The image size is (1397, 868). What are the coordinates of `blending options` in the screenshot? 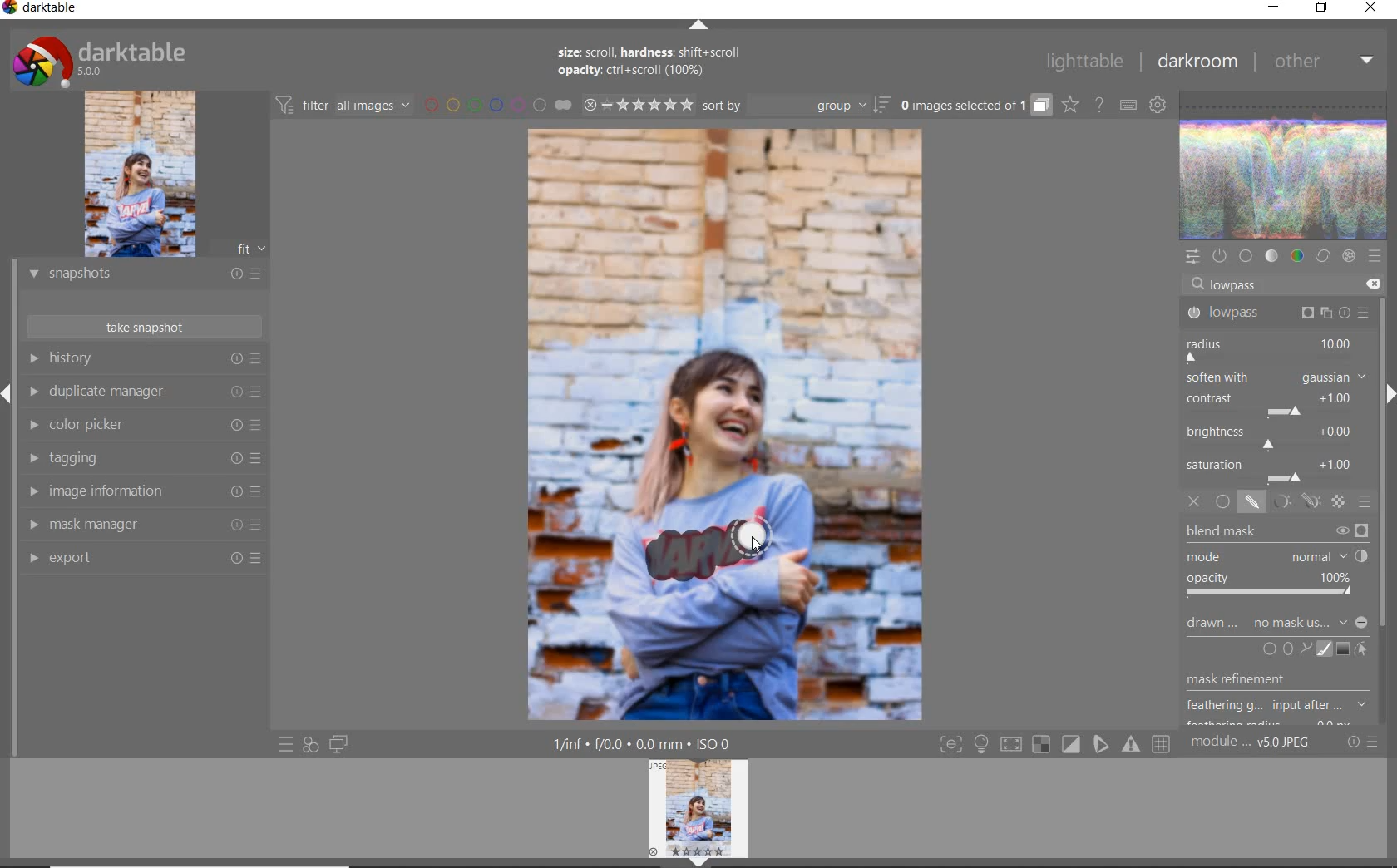 It's located at (1365, 501).